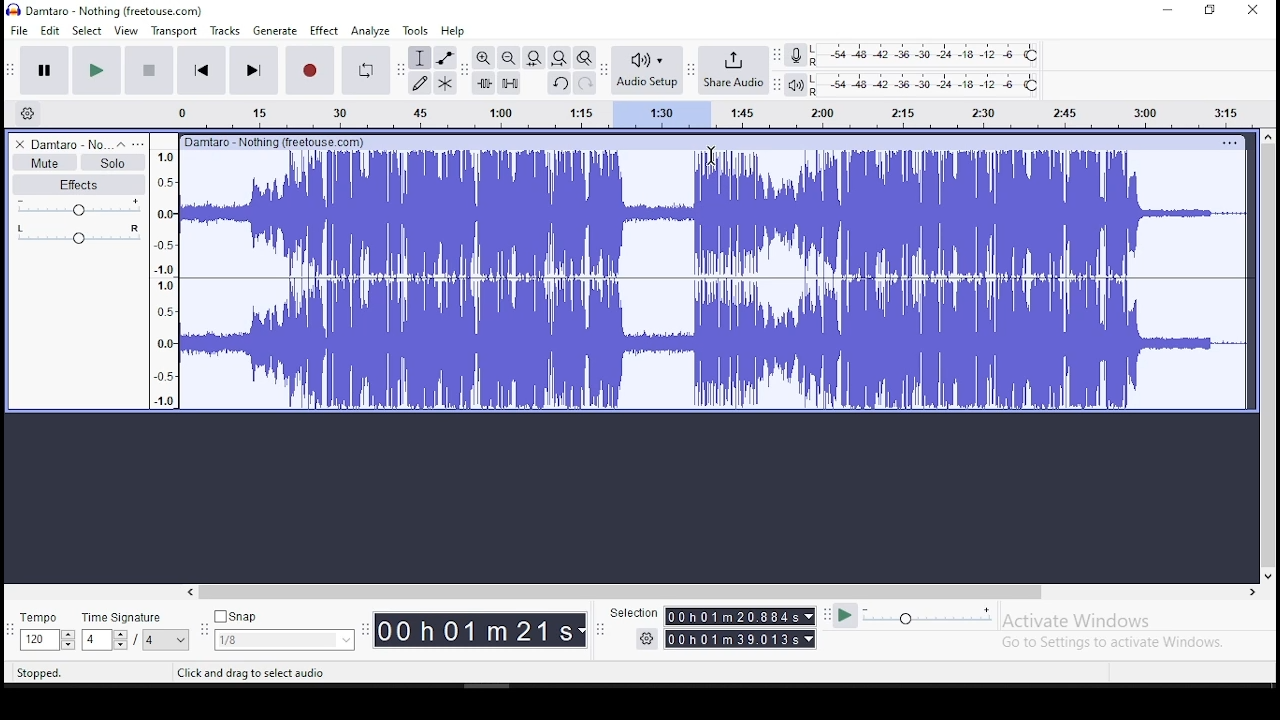 The width and height of the screenshot is (1280, 720). Describe the element at coordinates (720, 592) in the screenshot. I see `horizontal scroll bar` at that location.